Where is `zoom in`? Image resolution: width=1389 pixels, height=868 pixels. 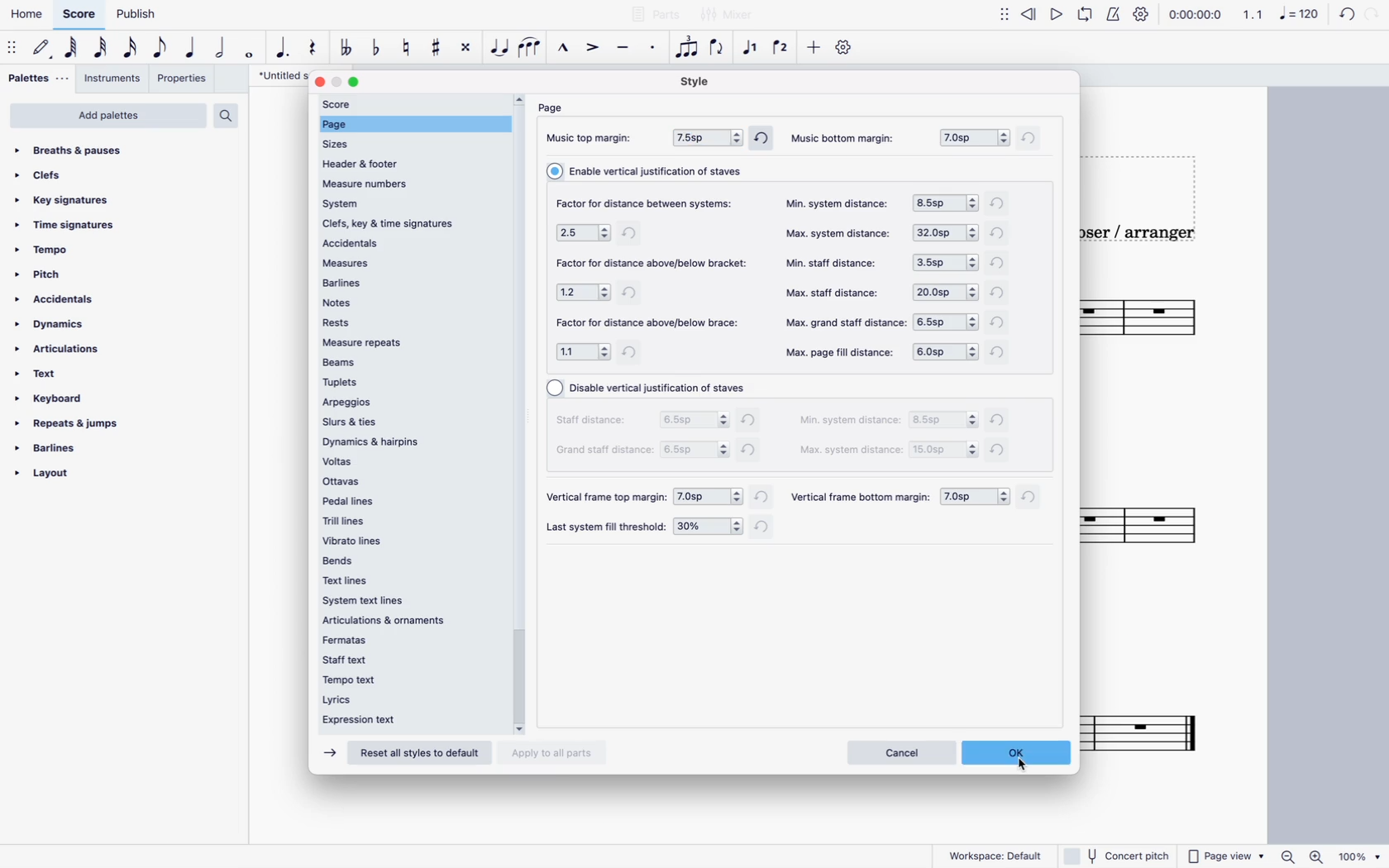
zoom in is located at coordinates (1320, 855).